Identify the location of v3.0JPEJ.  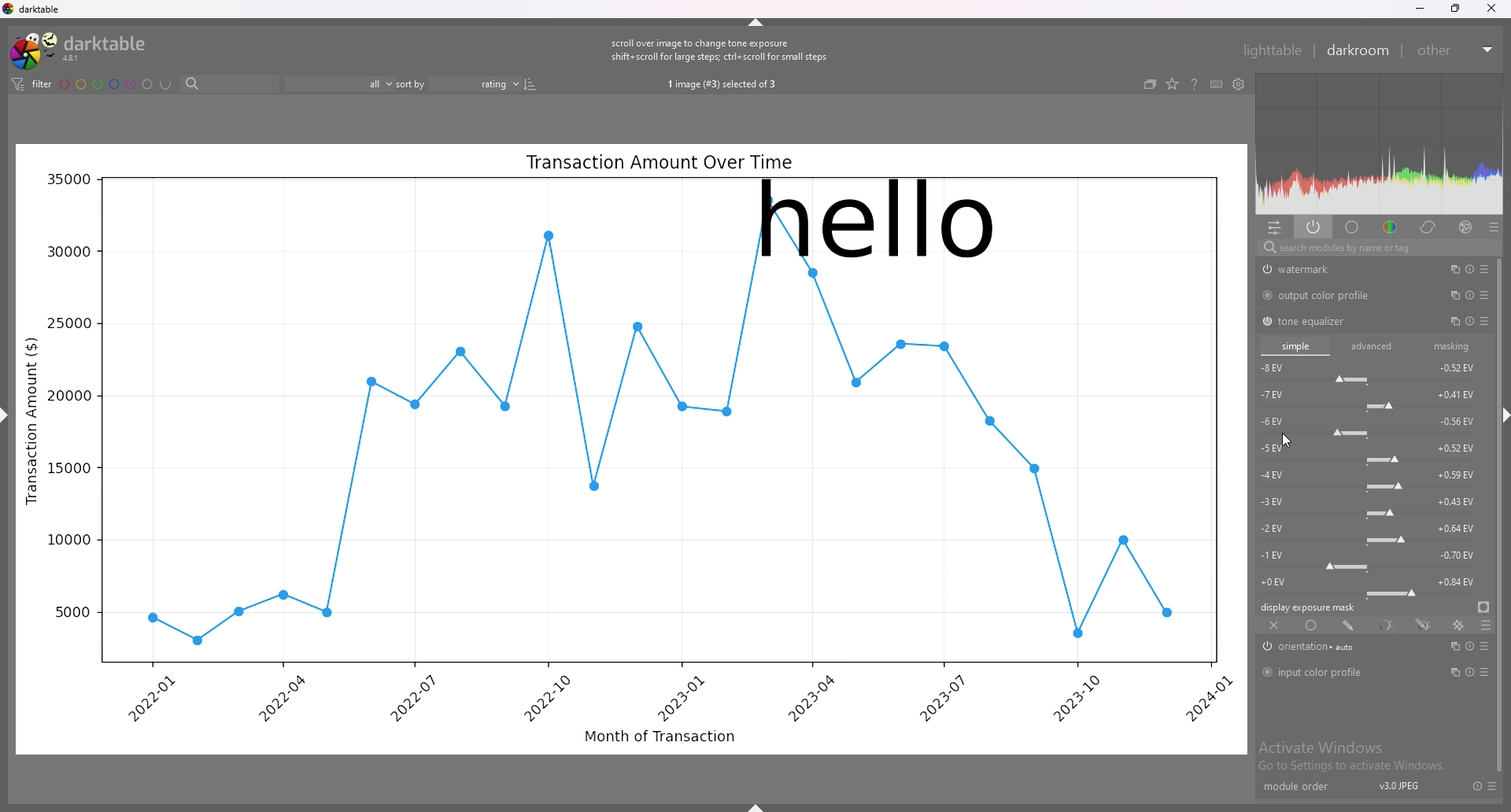
(1396, 786).